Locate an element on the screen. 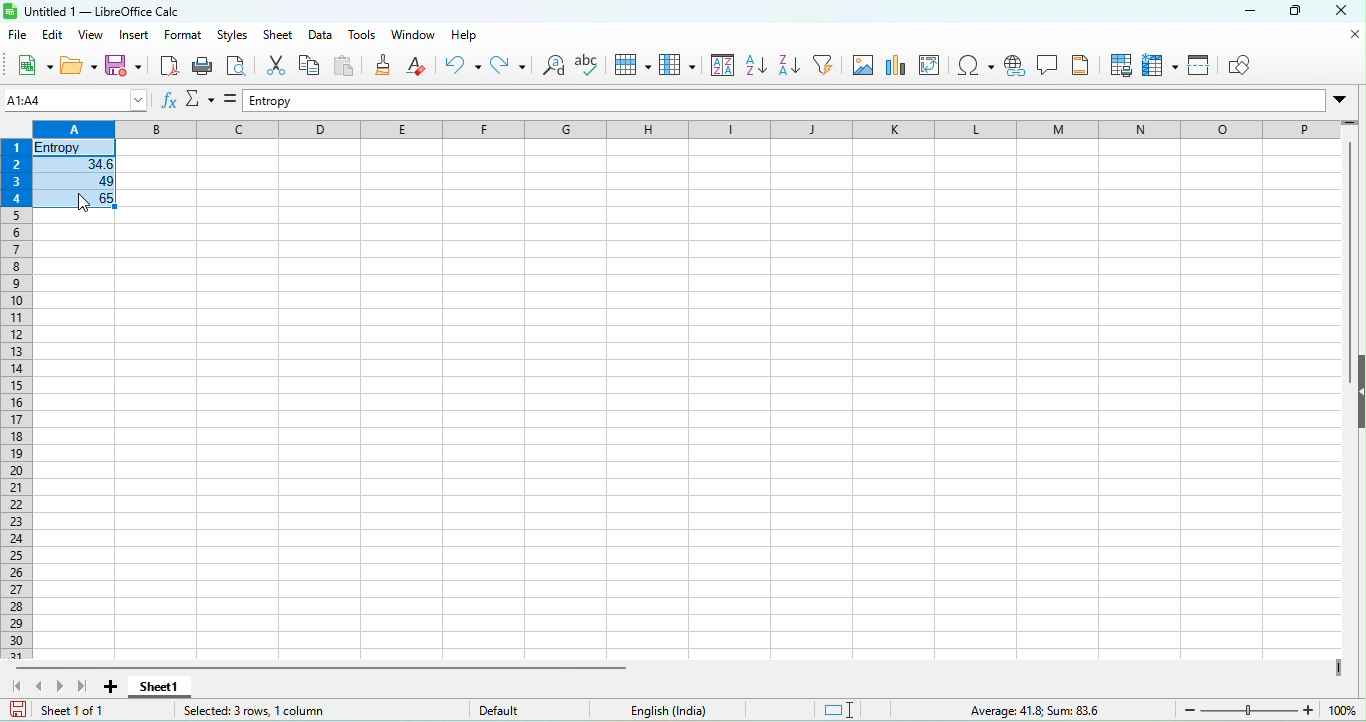 The width and height of the screenshot is (1366, 722). spelling is located at coordinates (589, 67).